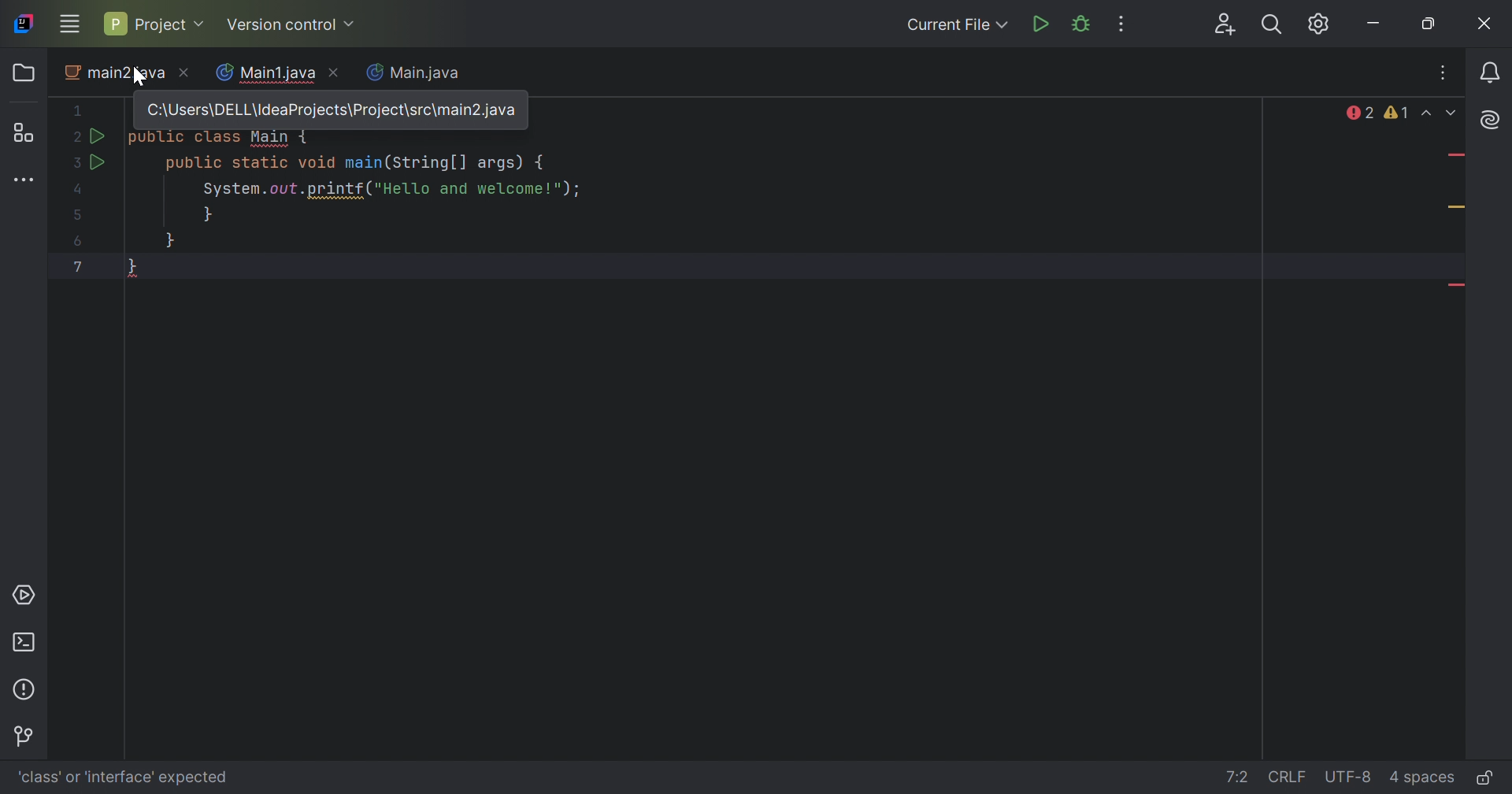 The image size is (1512, 794). I want to click on System.out.printf("Hello and welcome!"), so click(386, 190).